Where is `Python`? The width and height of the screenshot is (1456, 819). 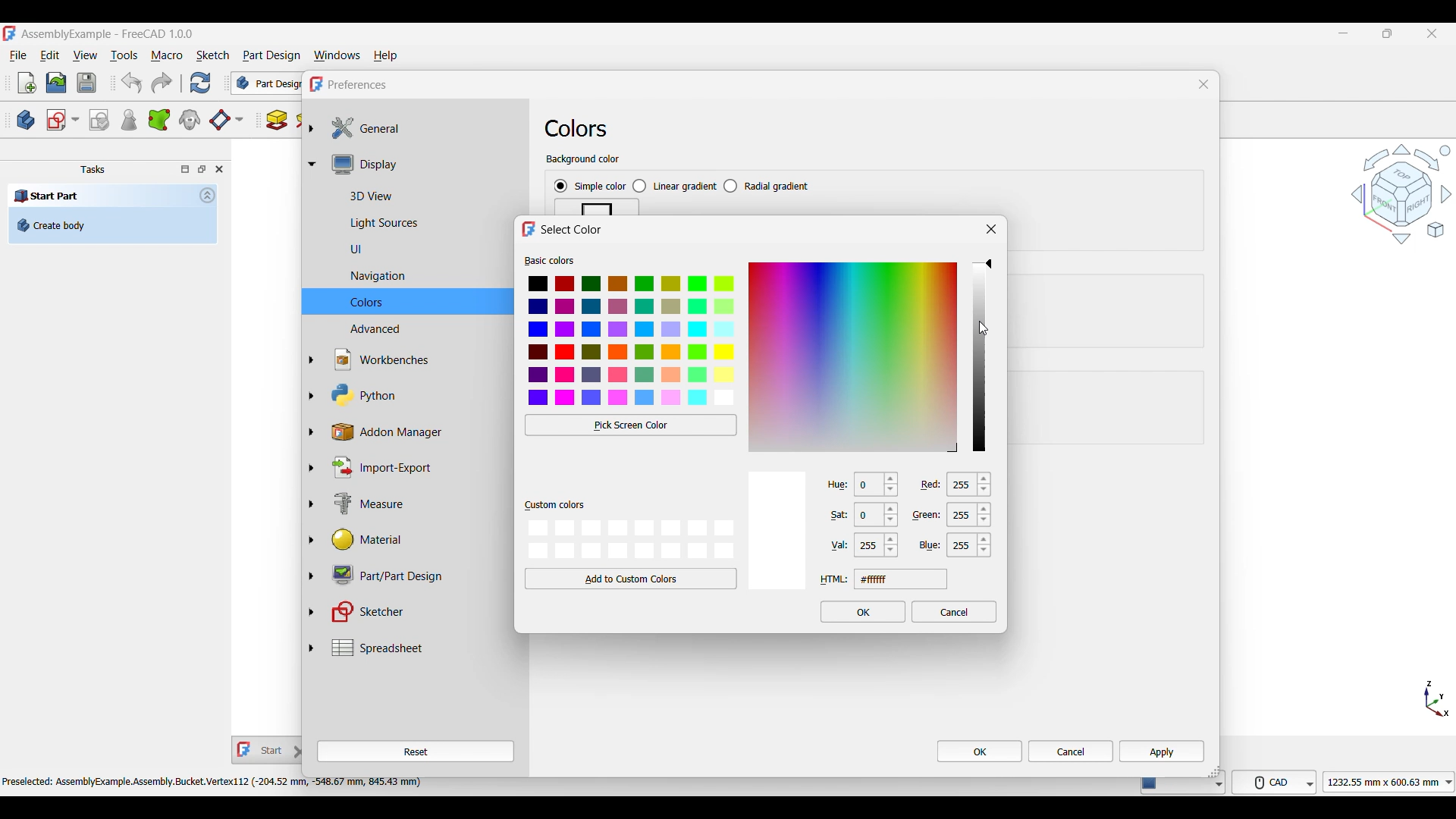
Python is located at coordinates (416, 395).